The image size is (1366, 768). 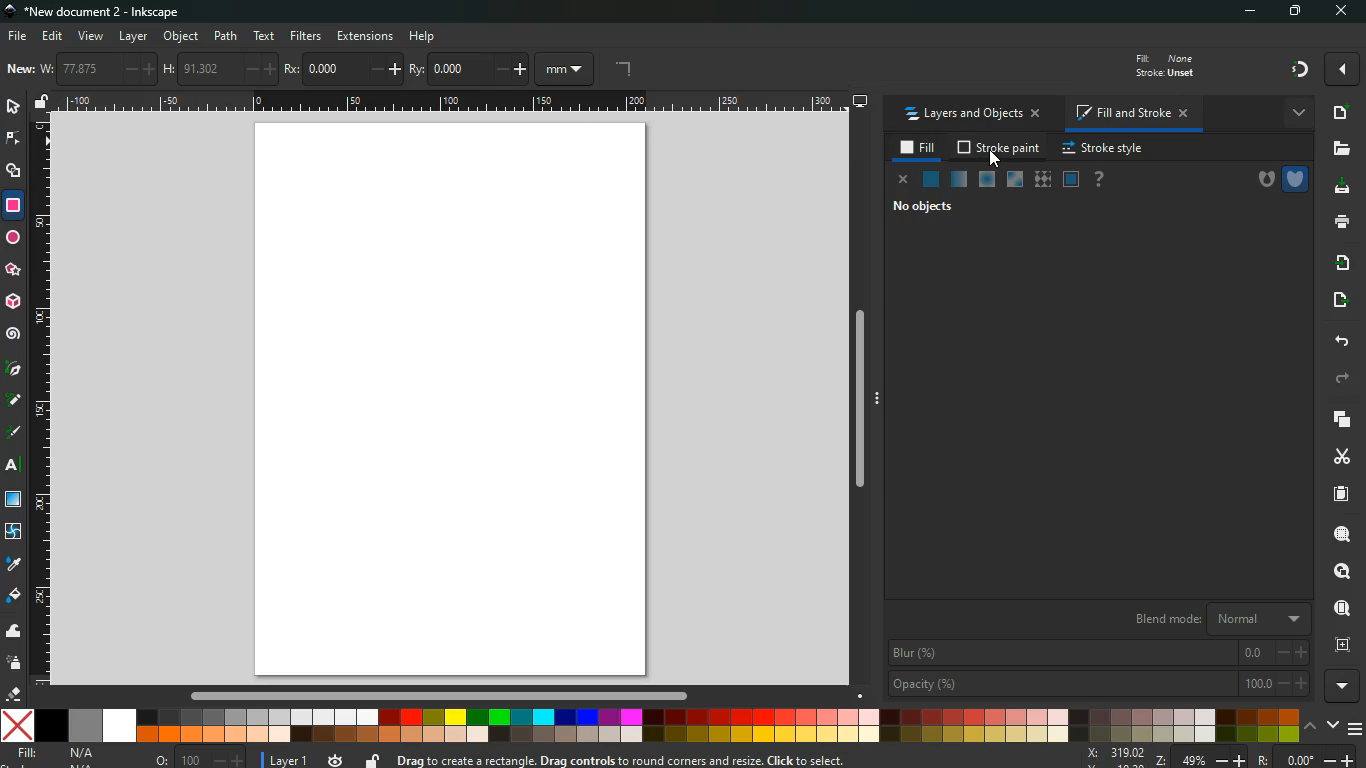 What do you see at coordinates (1340, 569) in the screenshot?
I see `lokk` at bounding box center [1340, 569].